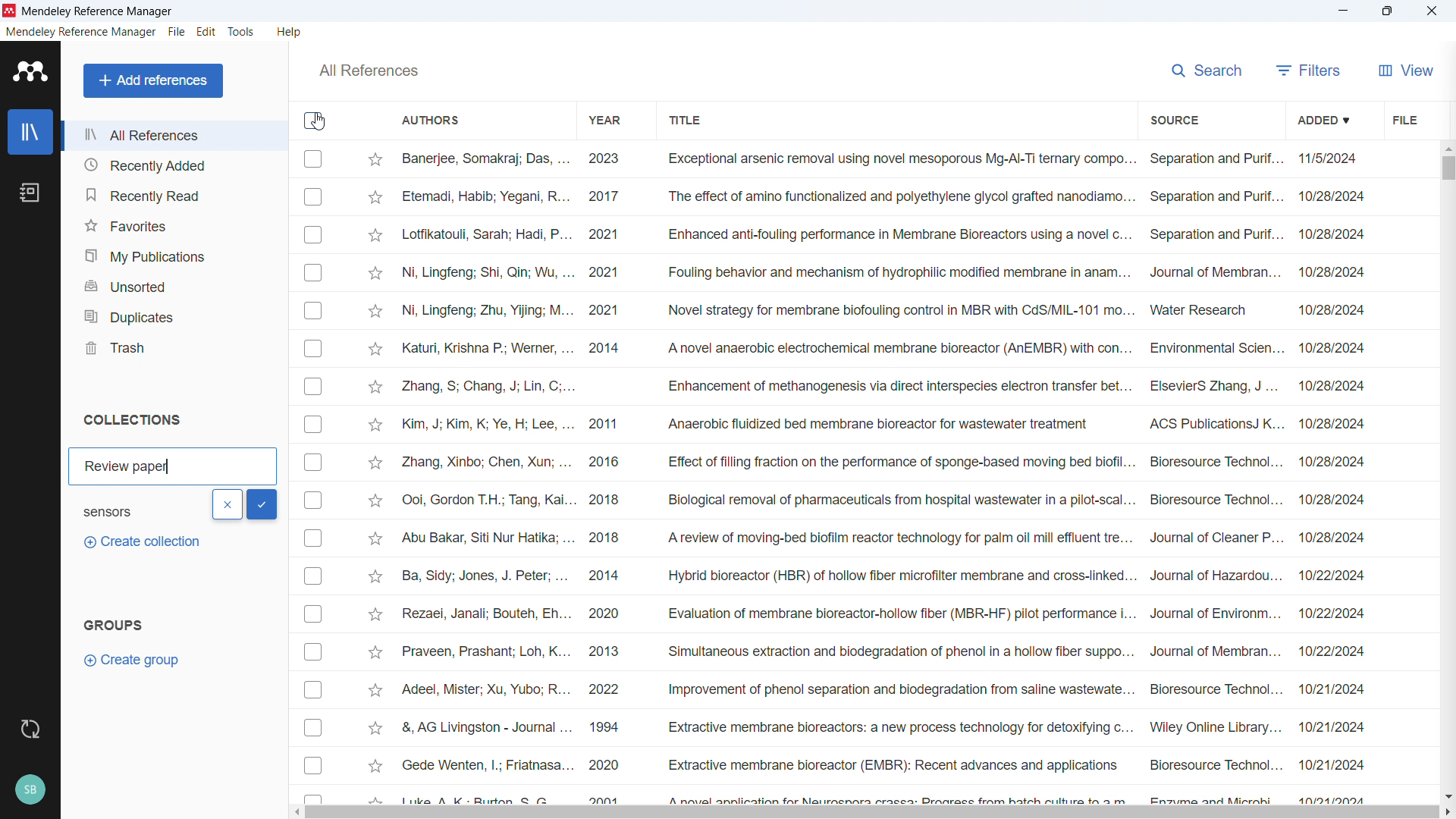  What do you see at coordinates (135, 660) in the screenshot?
I see `Create group ` at bounding box center [135, 660].